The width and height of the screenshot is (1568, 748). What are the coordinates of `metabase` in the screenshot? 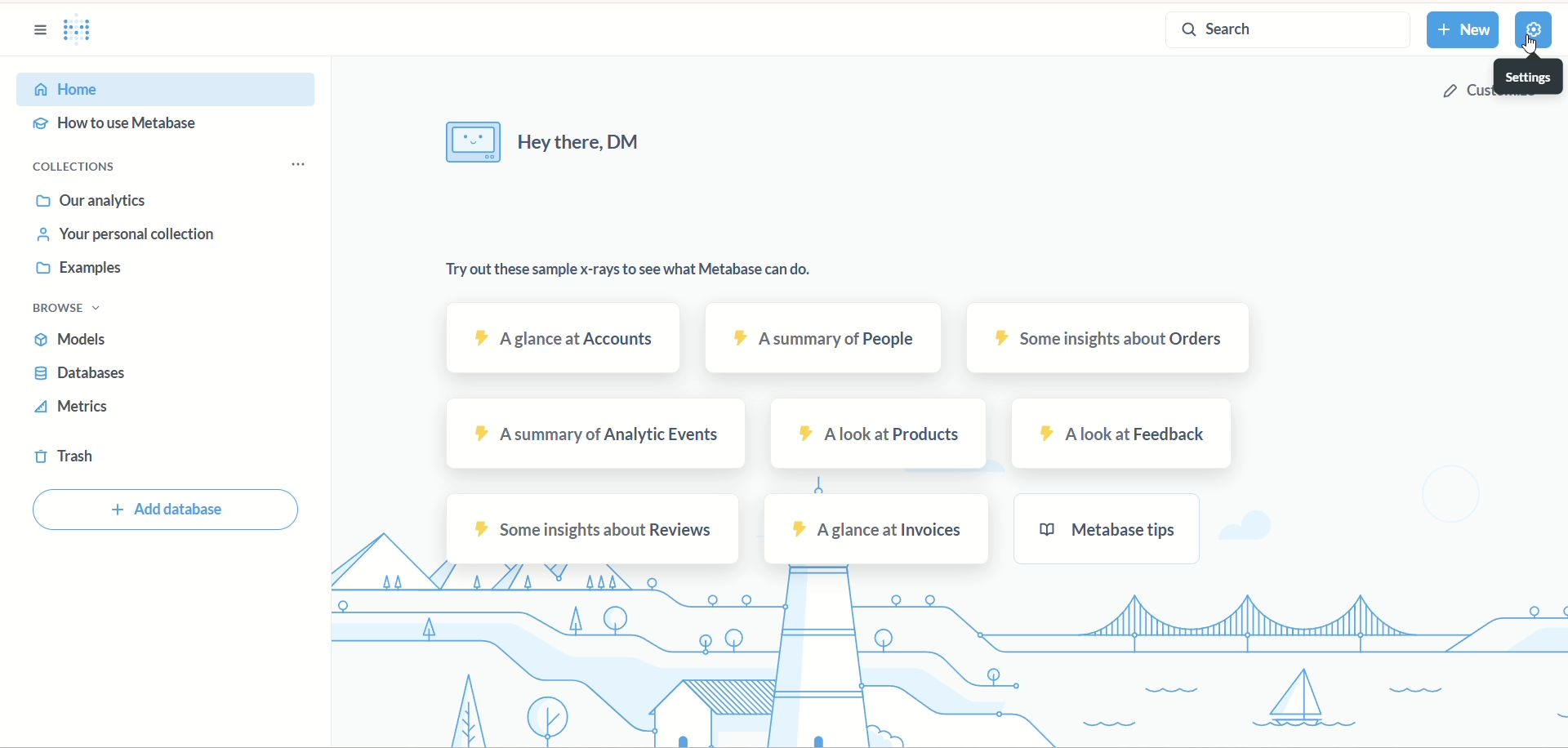 It's located at (1107, 528).